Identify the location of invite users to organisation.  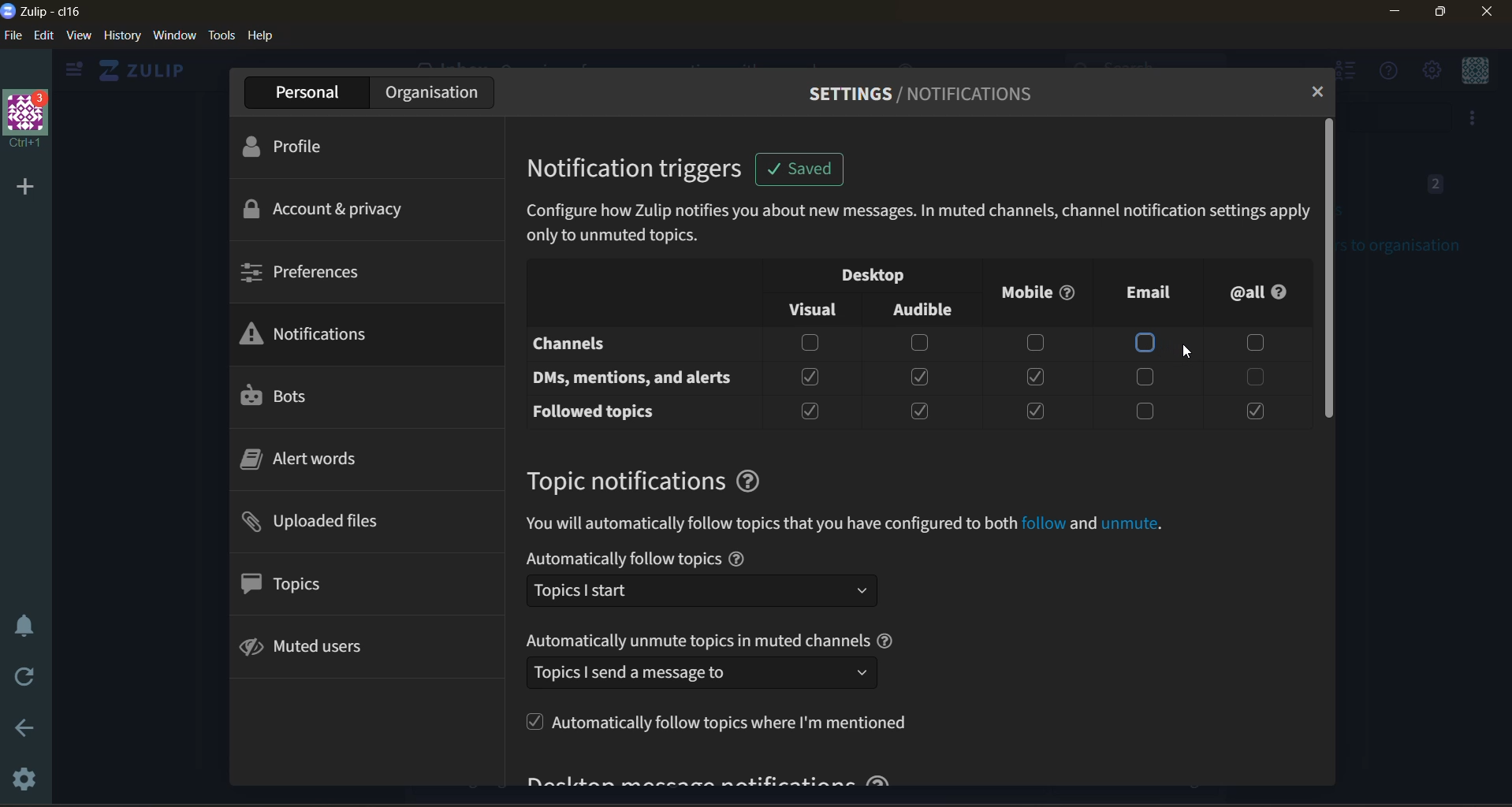
(1473, 119).